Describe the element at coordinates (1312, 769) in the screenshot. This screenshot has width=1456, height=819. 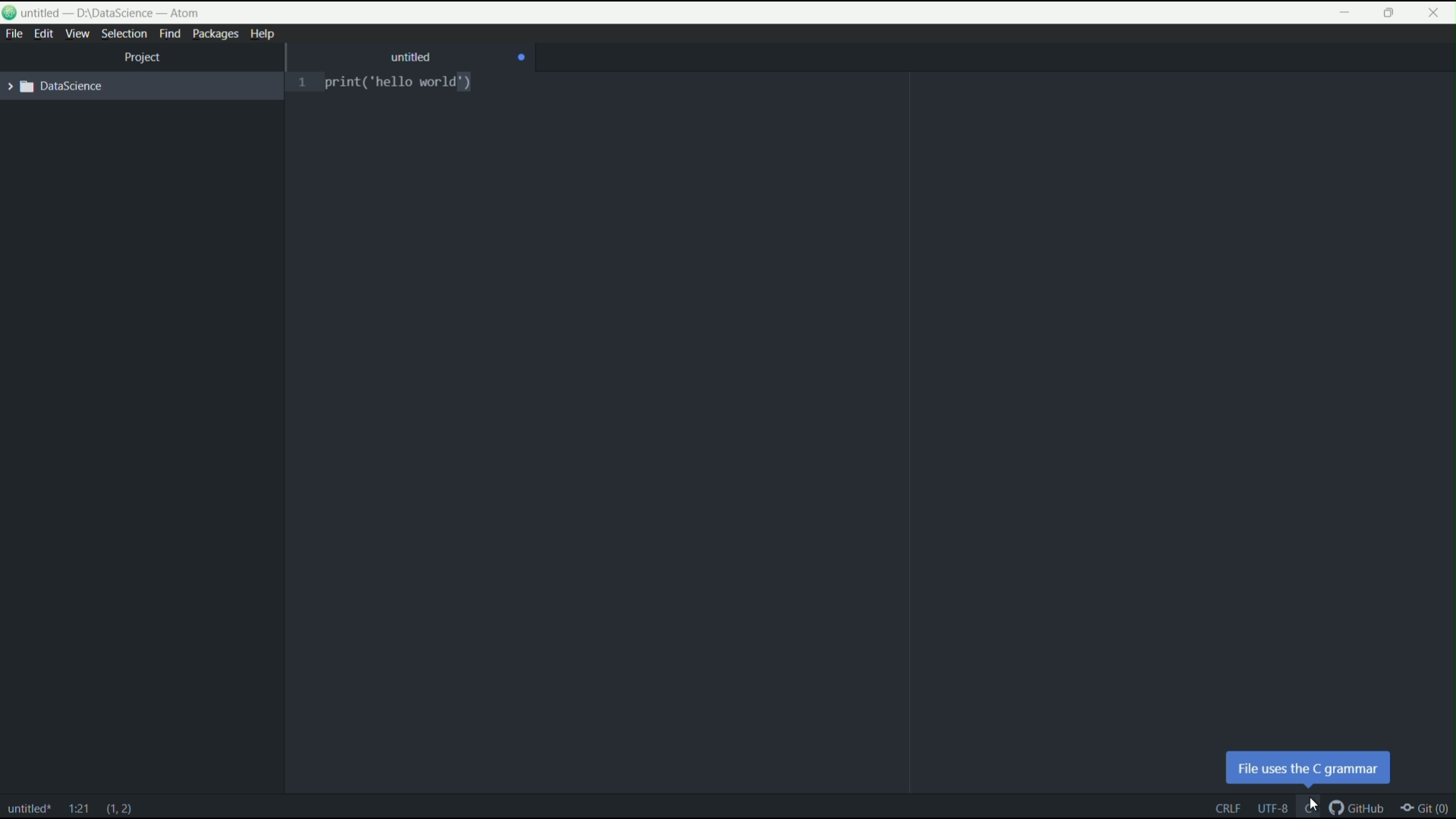
I see `pop up` at that location.